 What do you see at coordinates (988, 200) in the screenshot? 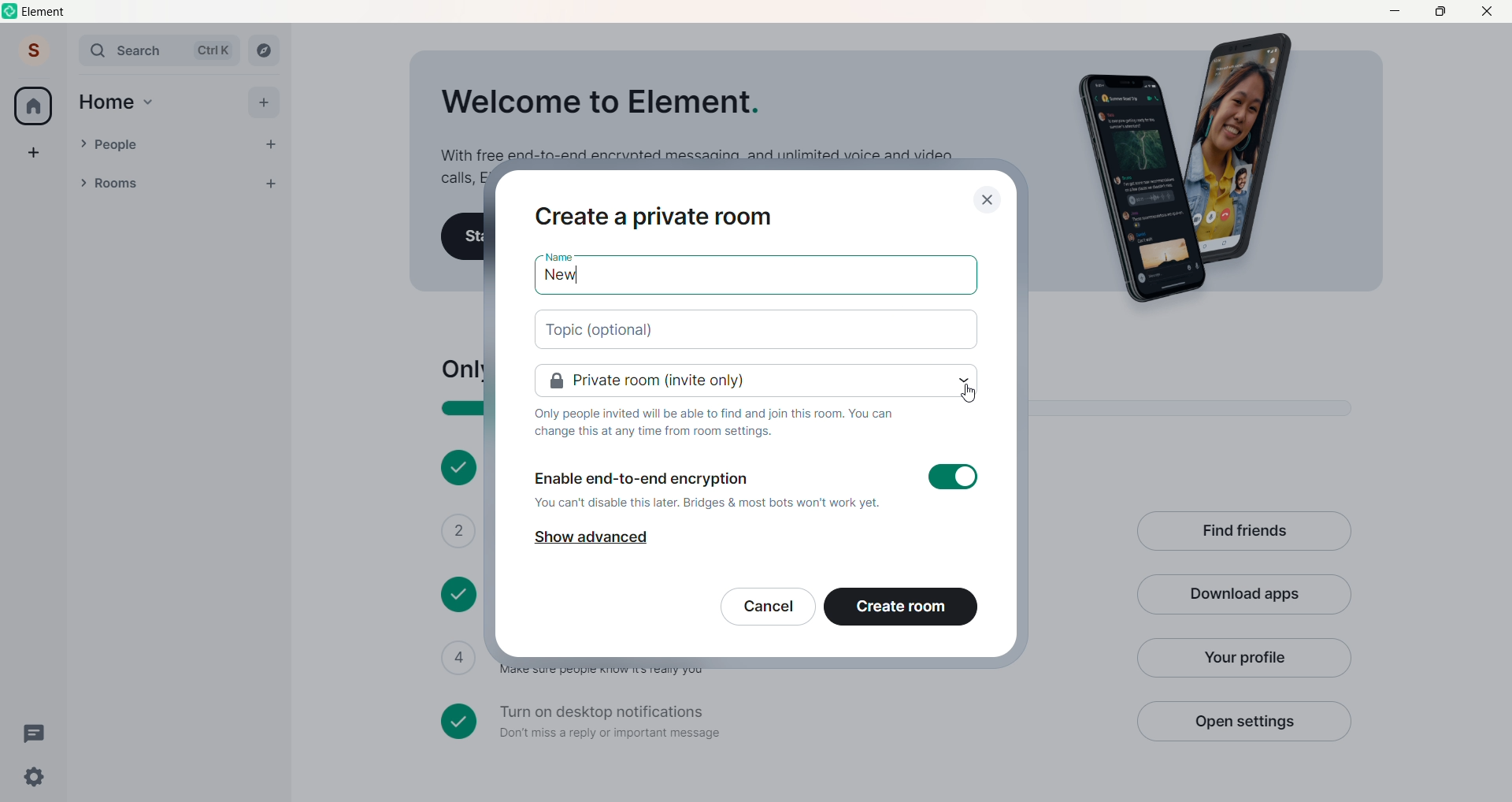
I see `close` at bounding box center [988, 200].